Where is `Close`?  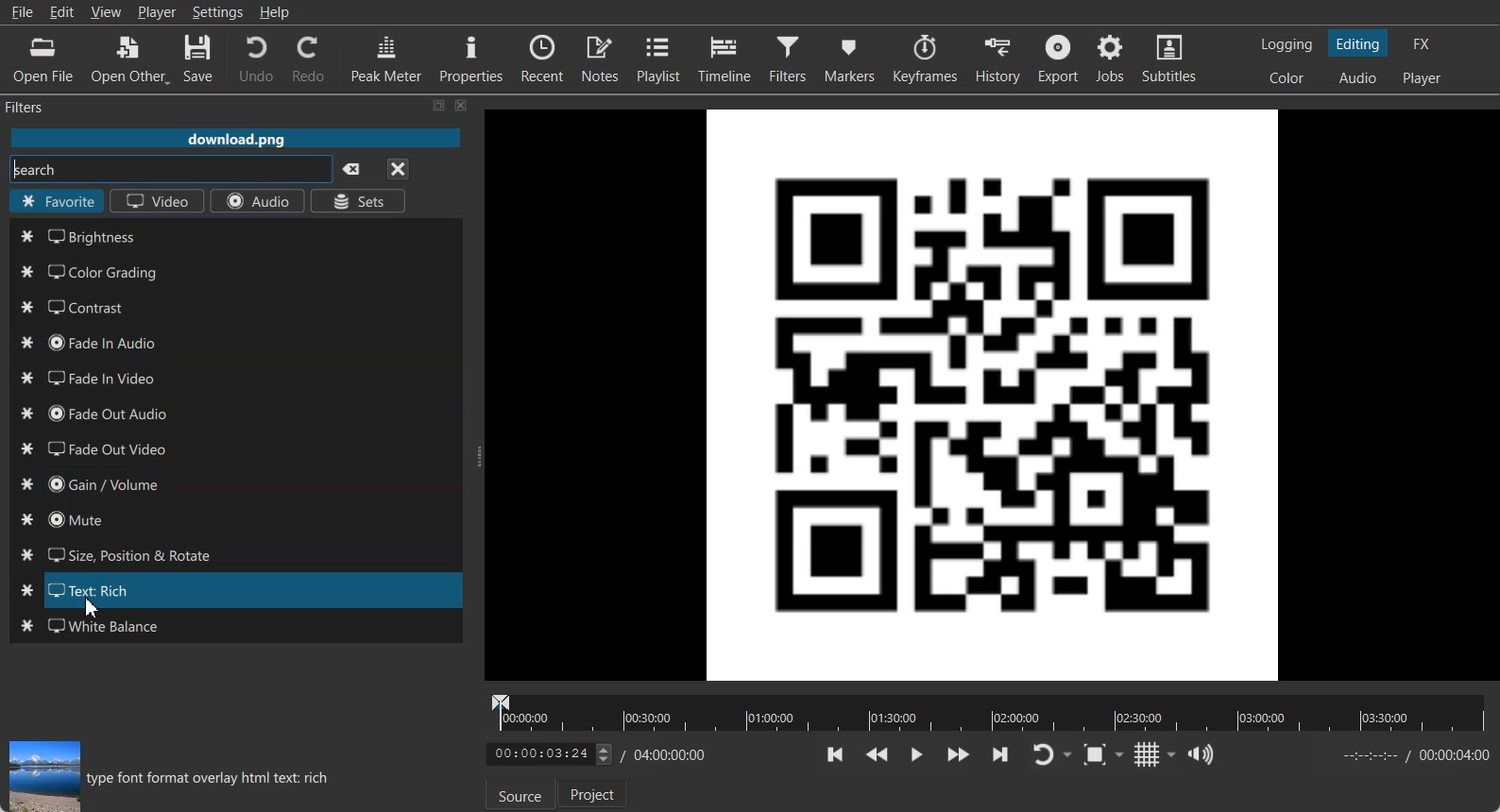
Close is located at coordinates (398, 168).